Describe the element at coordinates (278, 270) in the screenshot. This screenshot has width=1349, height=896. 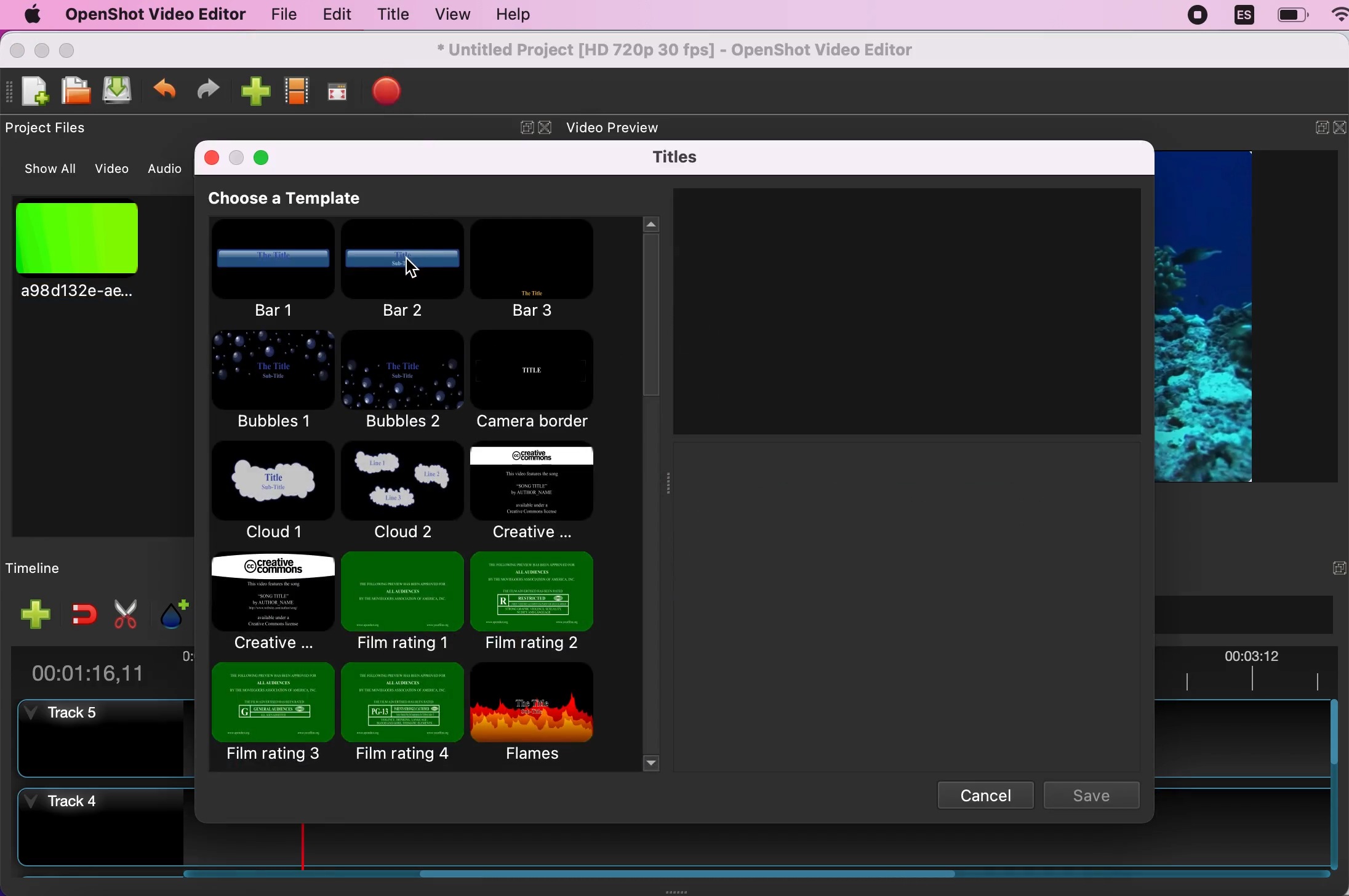
I see `bar 1` at that location.